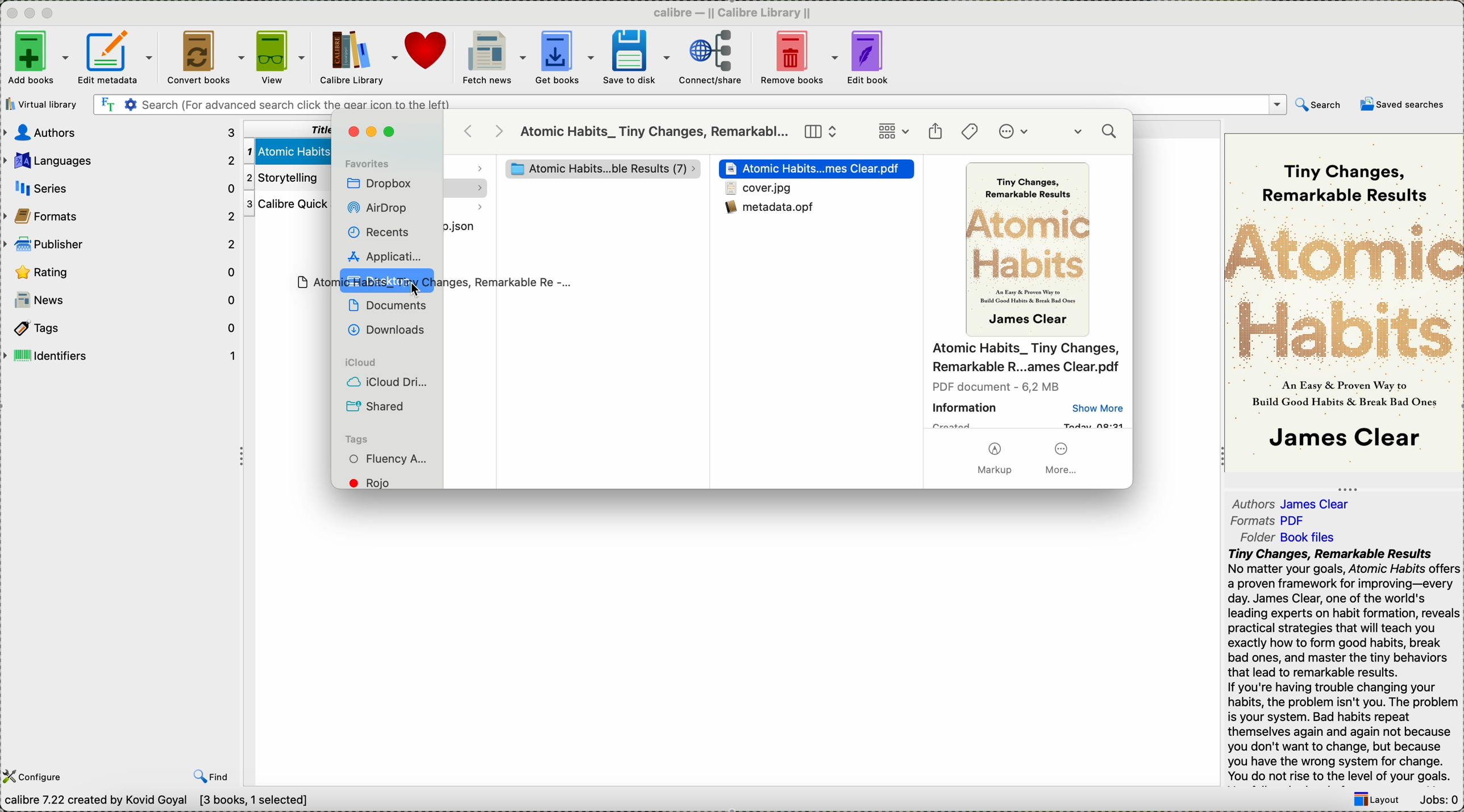 The height and width of the screenshot is (812, 1464). Describe the element at coordinates (1030, 251) in the screenshot. I see `book cover preview` at that location.